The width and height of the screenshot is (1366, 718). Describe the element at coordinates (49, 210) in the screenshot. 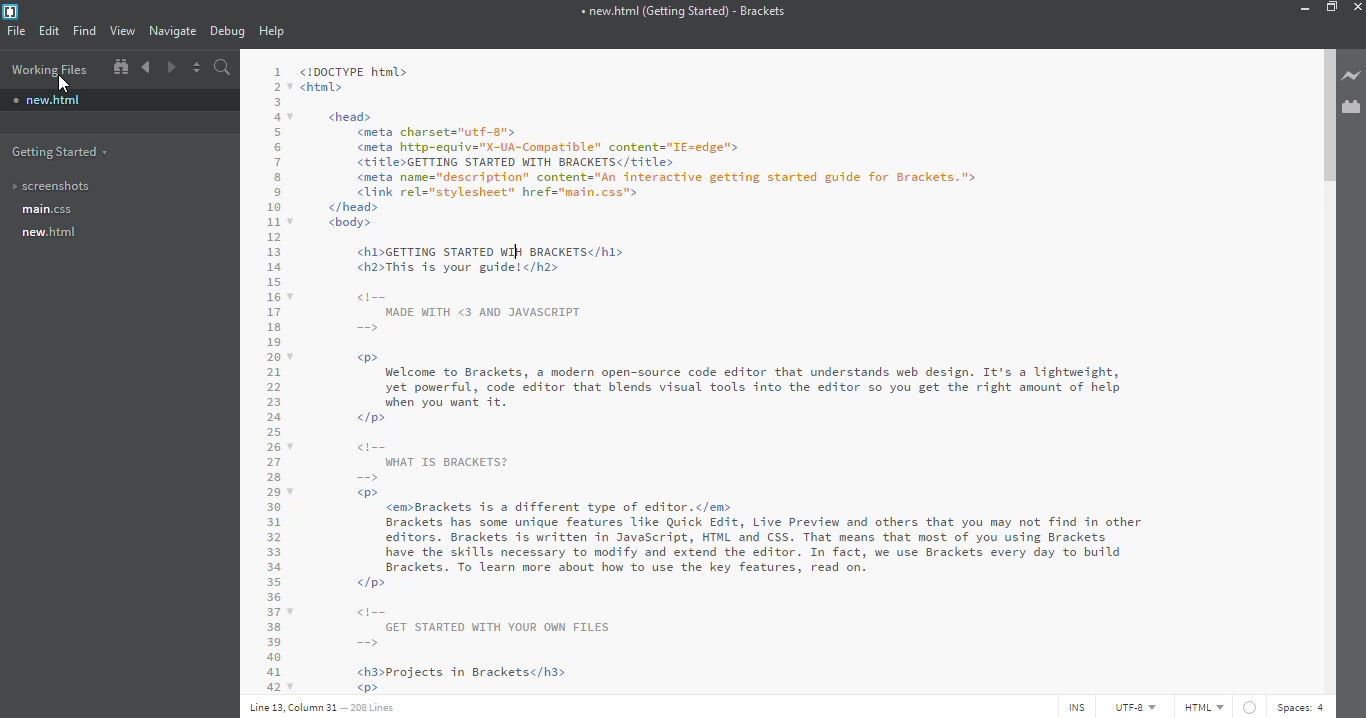

I see `main` at that location.